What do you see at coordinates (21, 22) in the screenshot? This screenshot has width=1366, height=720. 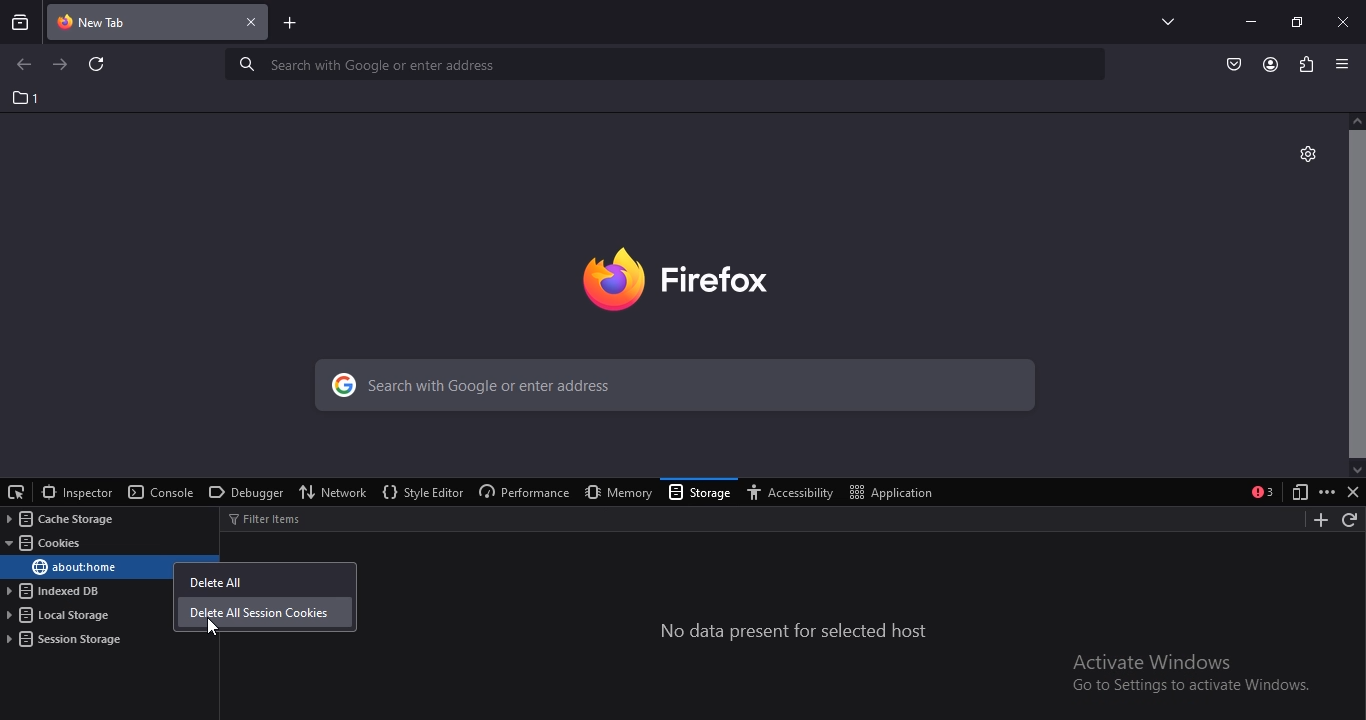 I see `search tabs` at bounding box center [21, 22].